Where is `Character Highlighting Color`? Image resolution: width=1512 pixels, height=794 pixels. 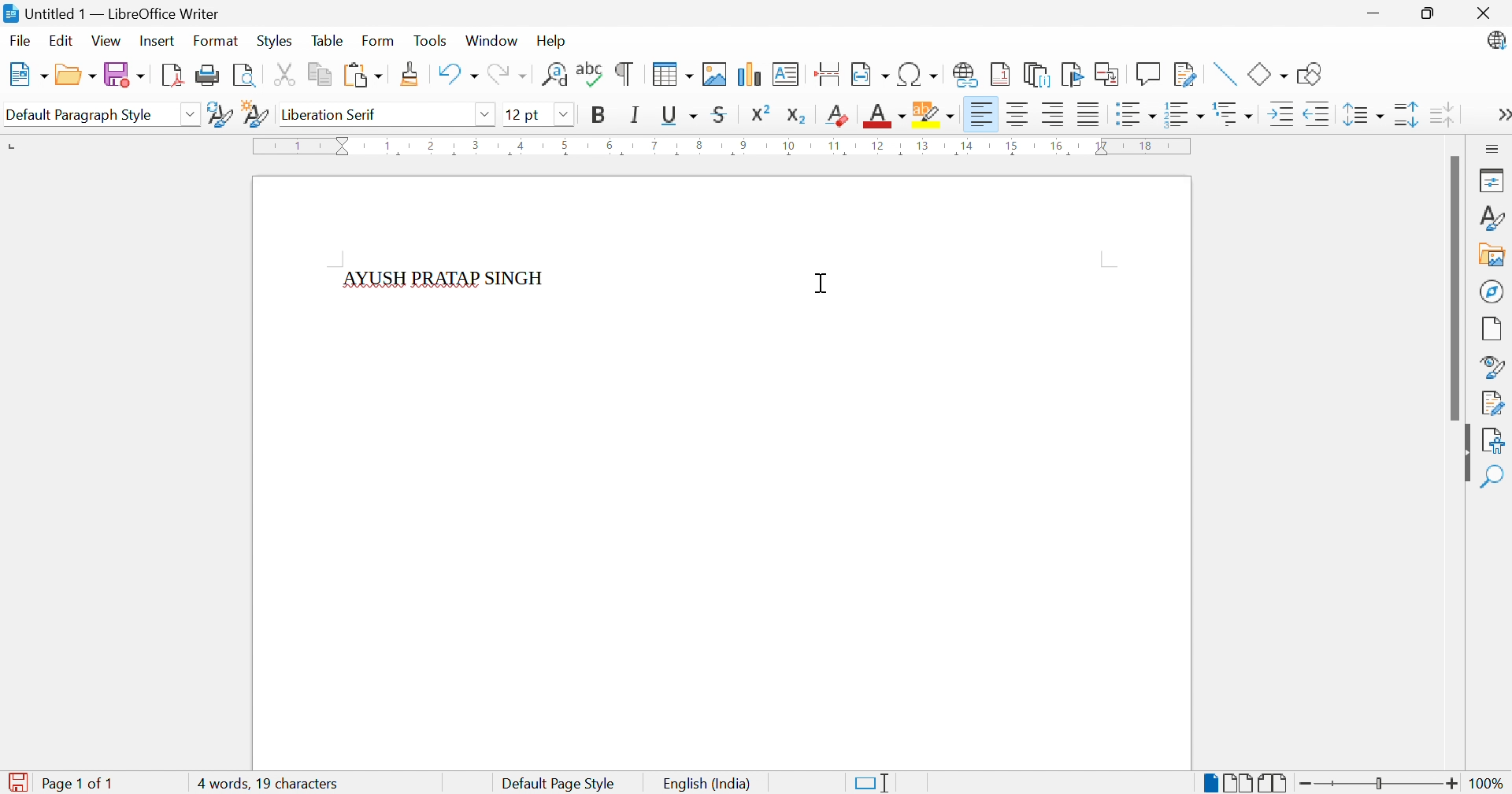
Character Highlighting Color is located at coordinates (935, 116).